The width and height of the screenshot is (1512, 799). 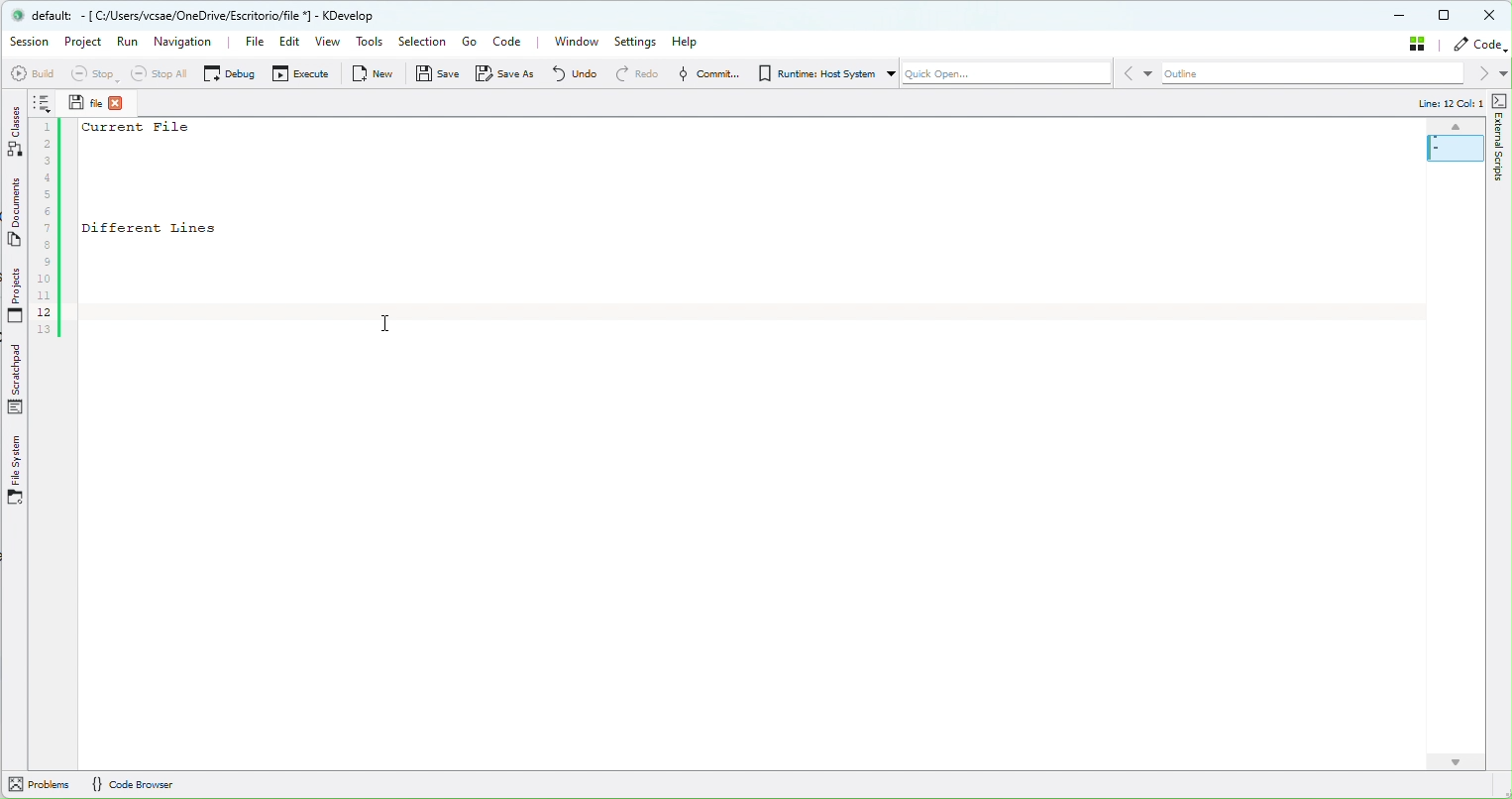 I want to click on Stop, so click(x=92, y=72).